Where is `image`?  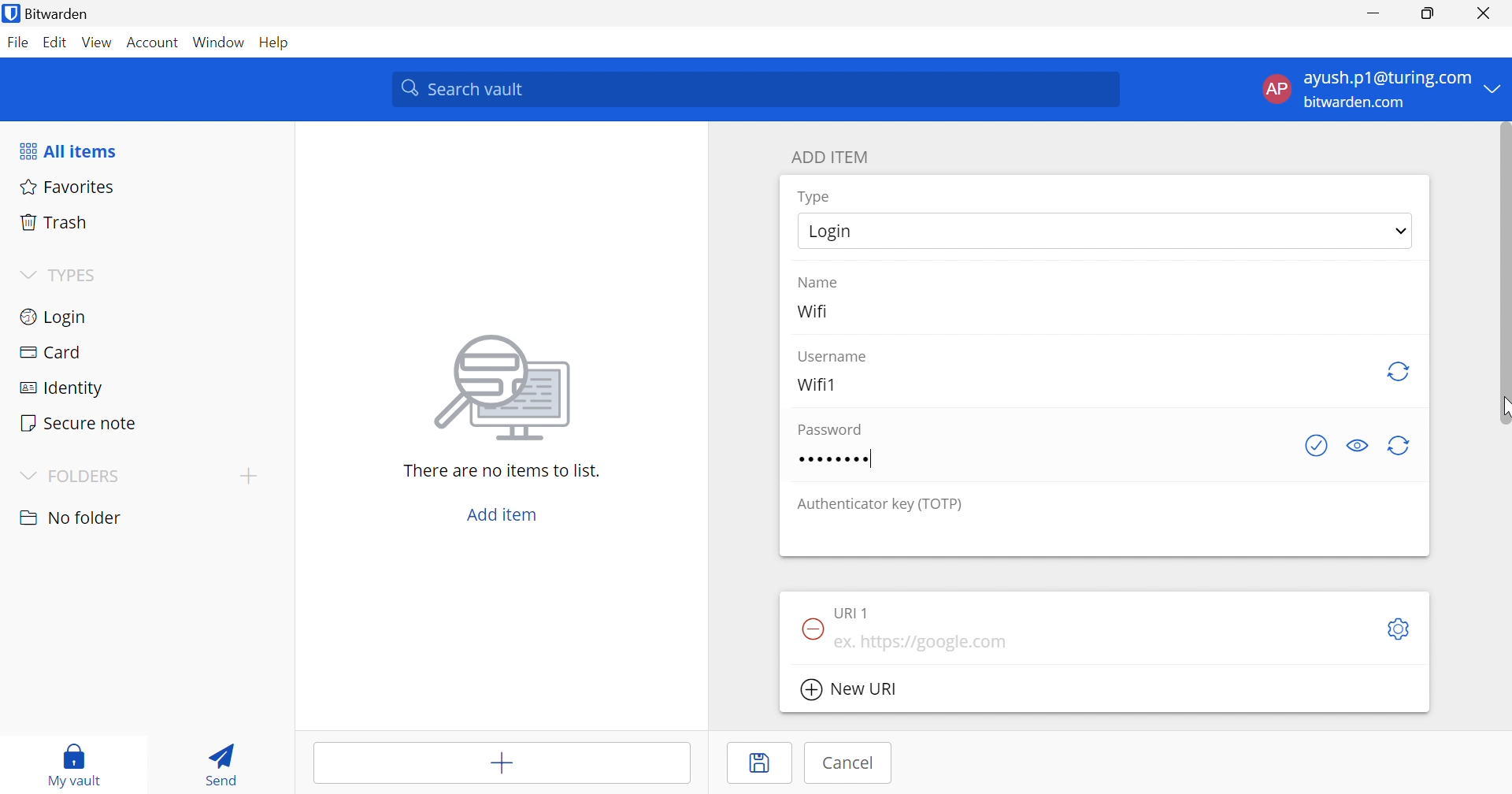
image is located at coordinates (507, 383).